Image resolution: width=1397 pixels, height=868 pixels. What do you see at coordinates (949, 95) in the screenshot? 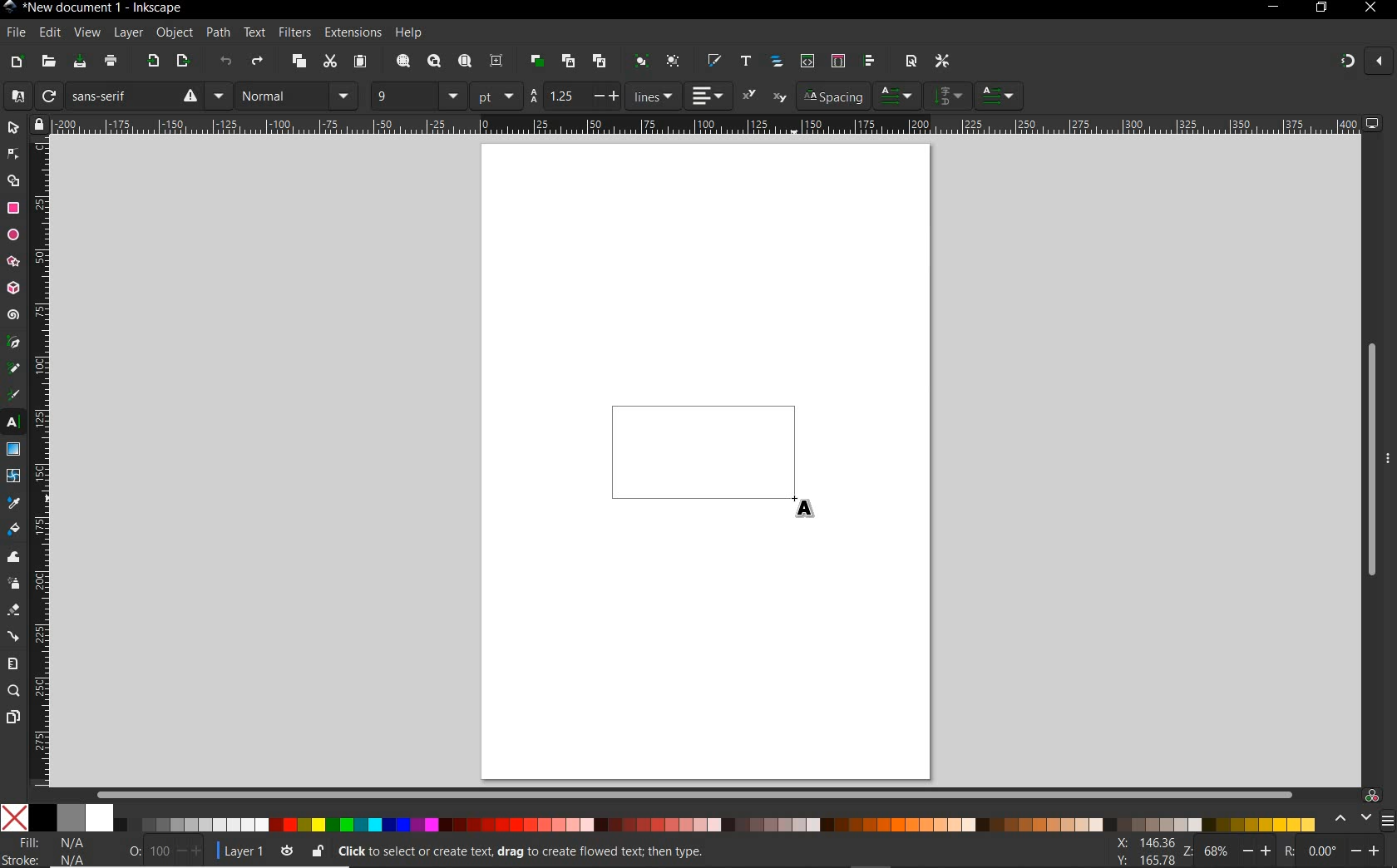
I see `menu` at bounding box center [949, 95].